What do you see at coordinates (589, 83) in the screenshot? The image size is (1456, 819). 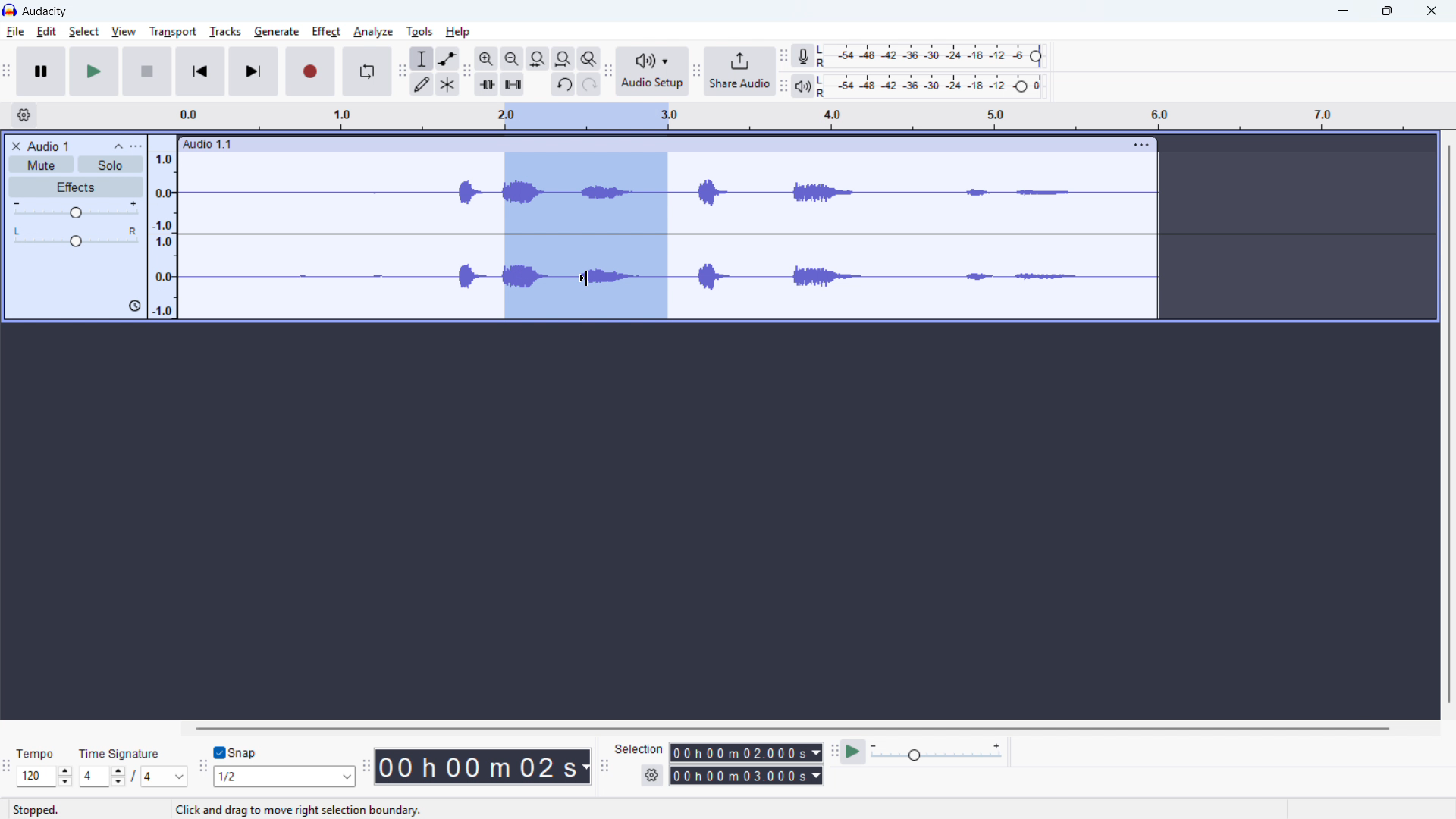 I see `redo` at bounding box center [589, 83].